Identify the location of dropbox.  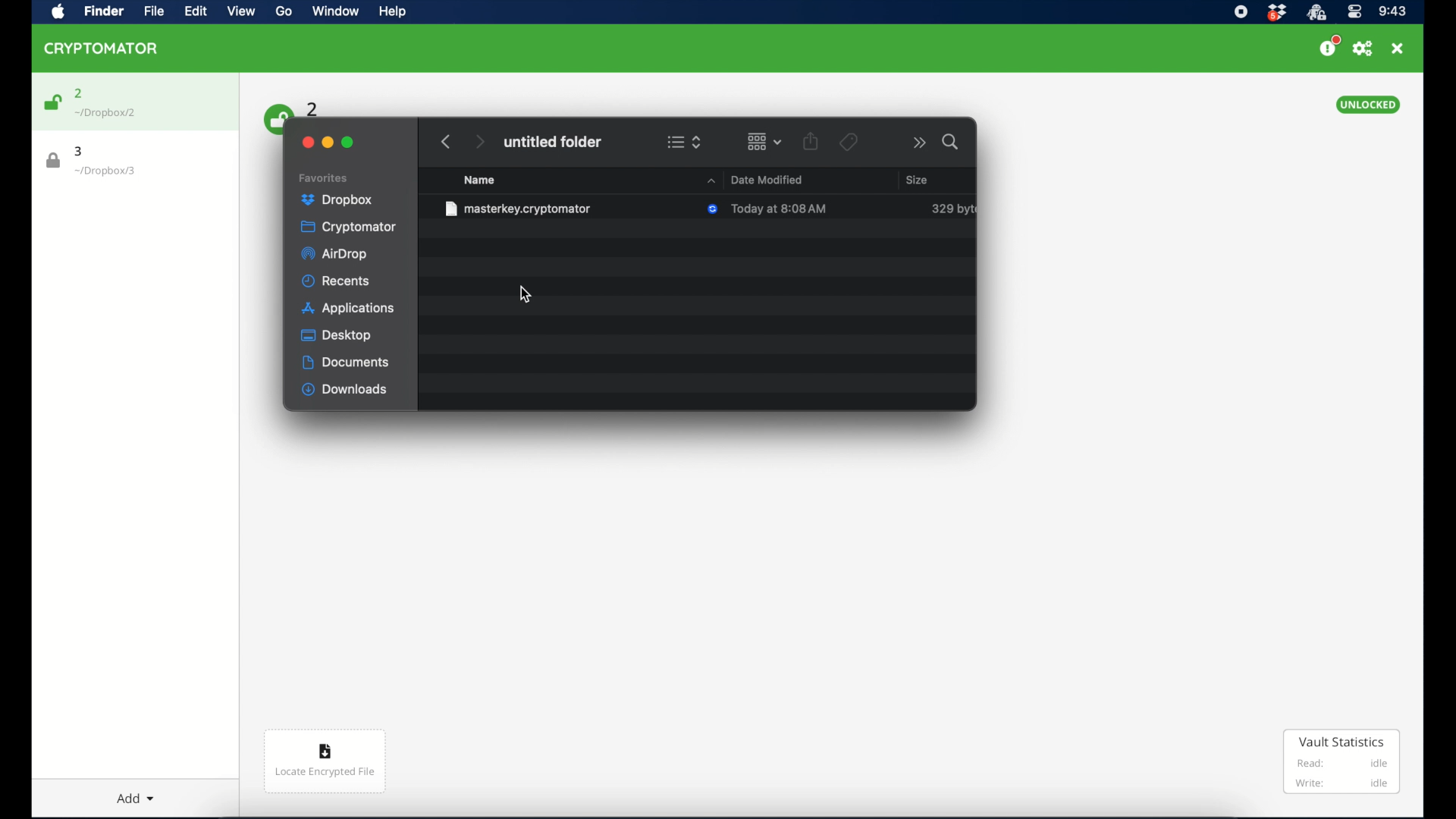
(337, 200).